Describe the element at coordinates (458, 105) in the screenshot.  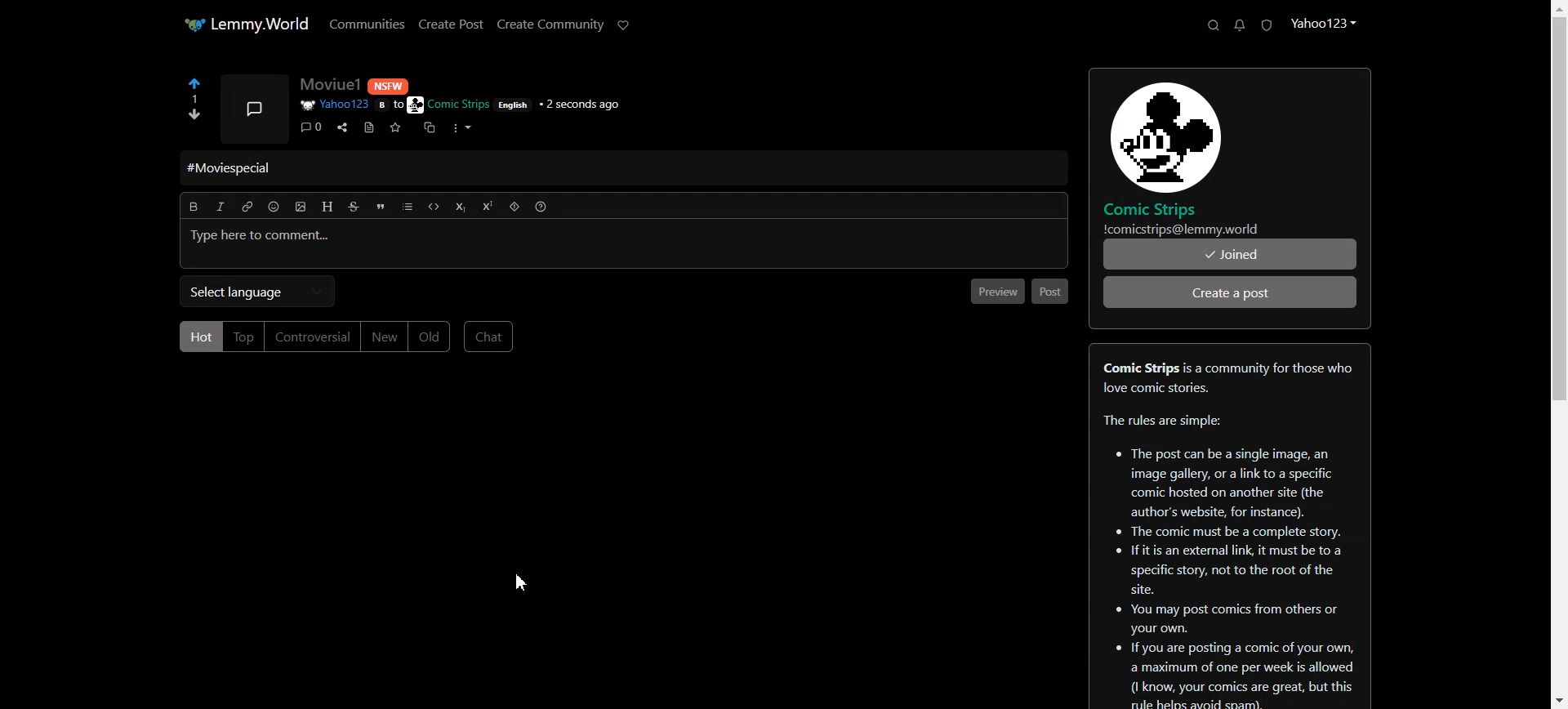
I see `Yahoo123 to Comic Strips english 2 seconds ago` at that location.